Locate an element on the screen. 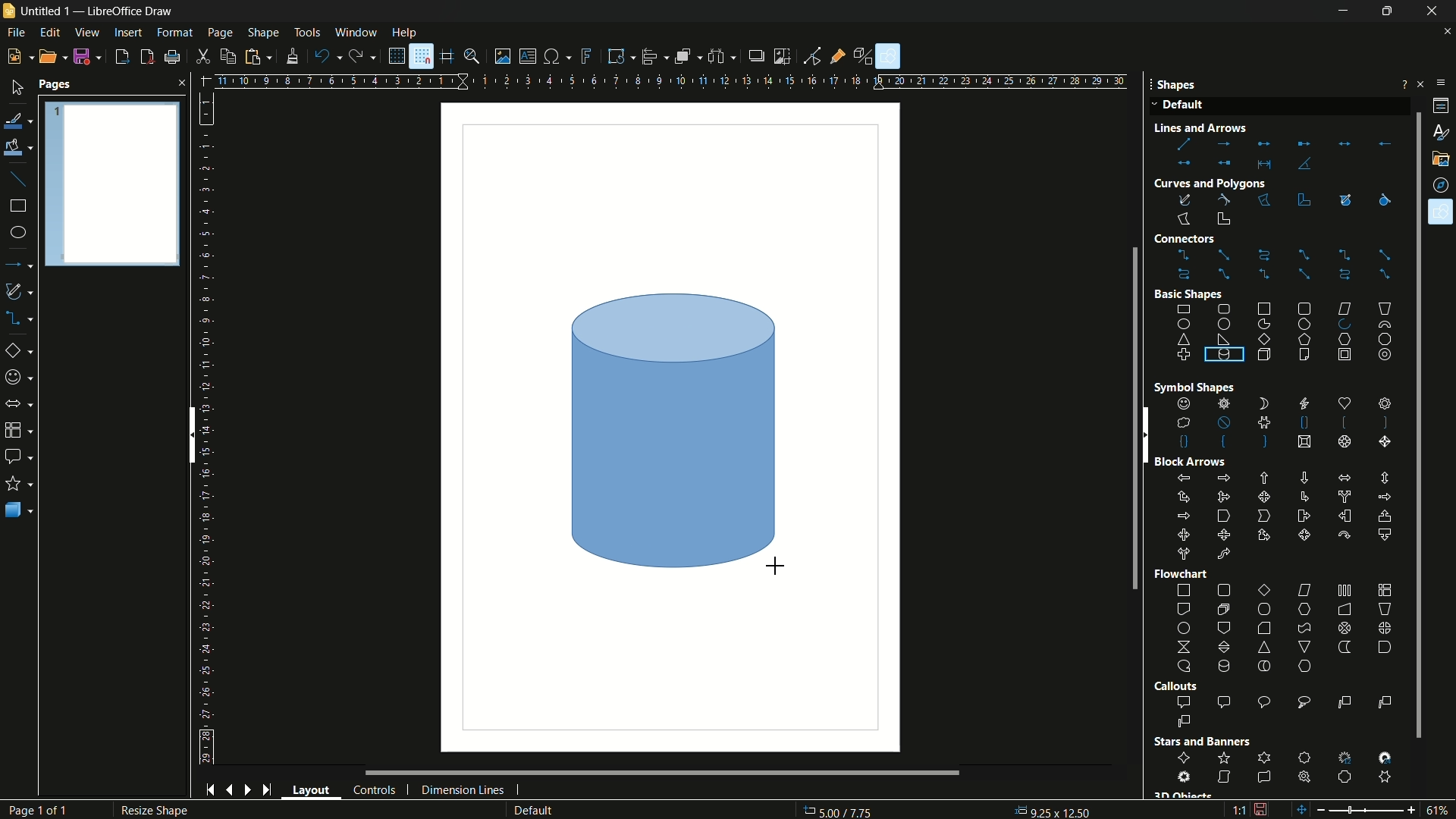 The height and width of the screenshot is (819, 1456). select at least three objects to distribute is located at coordinates (723, 57).